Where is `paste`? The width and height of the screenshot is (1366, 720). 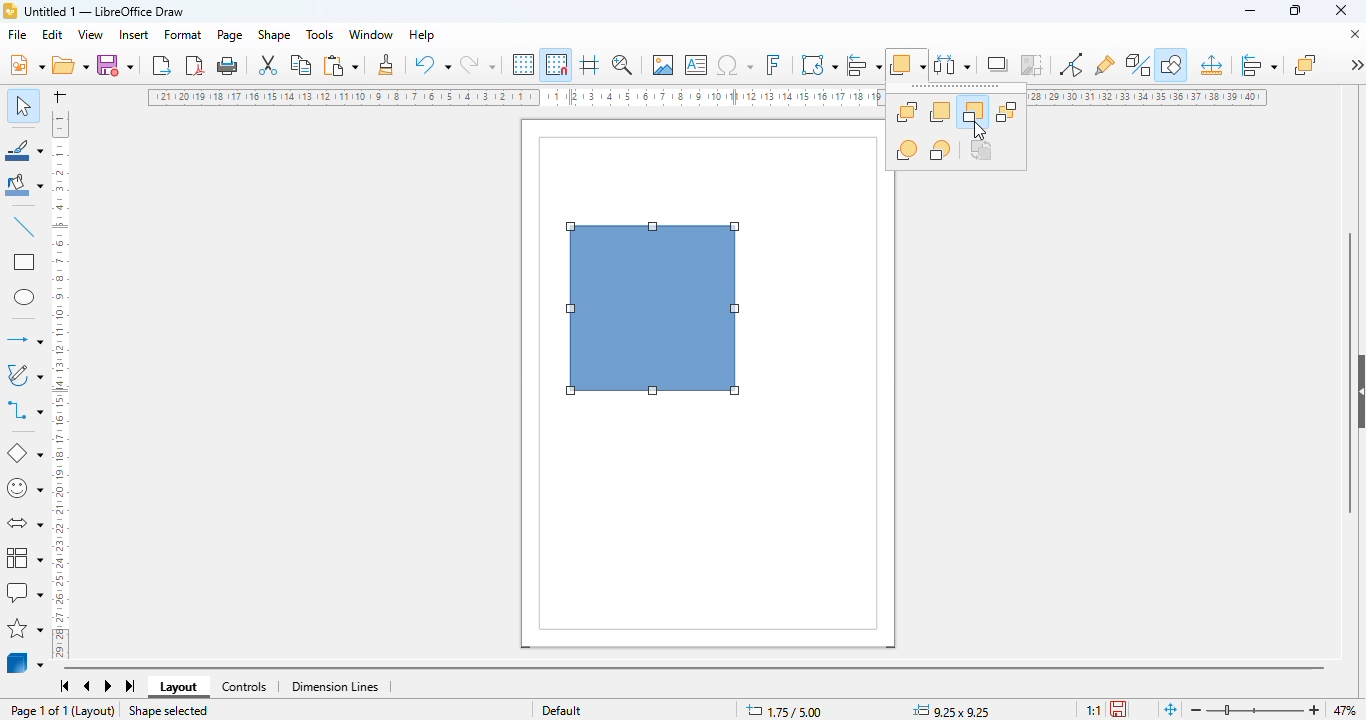
paste is located at coordinates (340, 65).